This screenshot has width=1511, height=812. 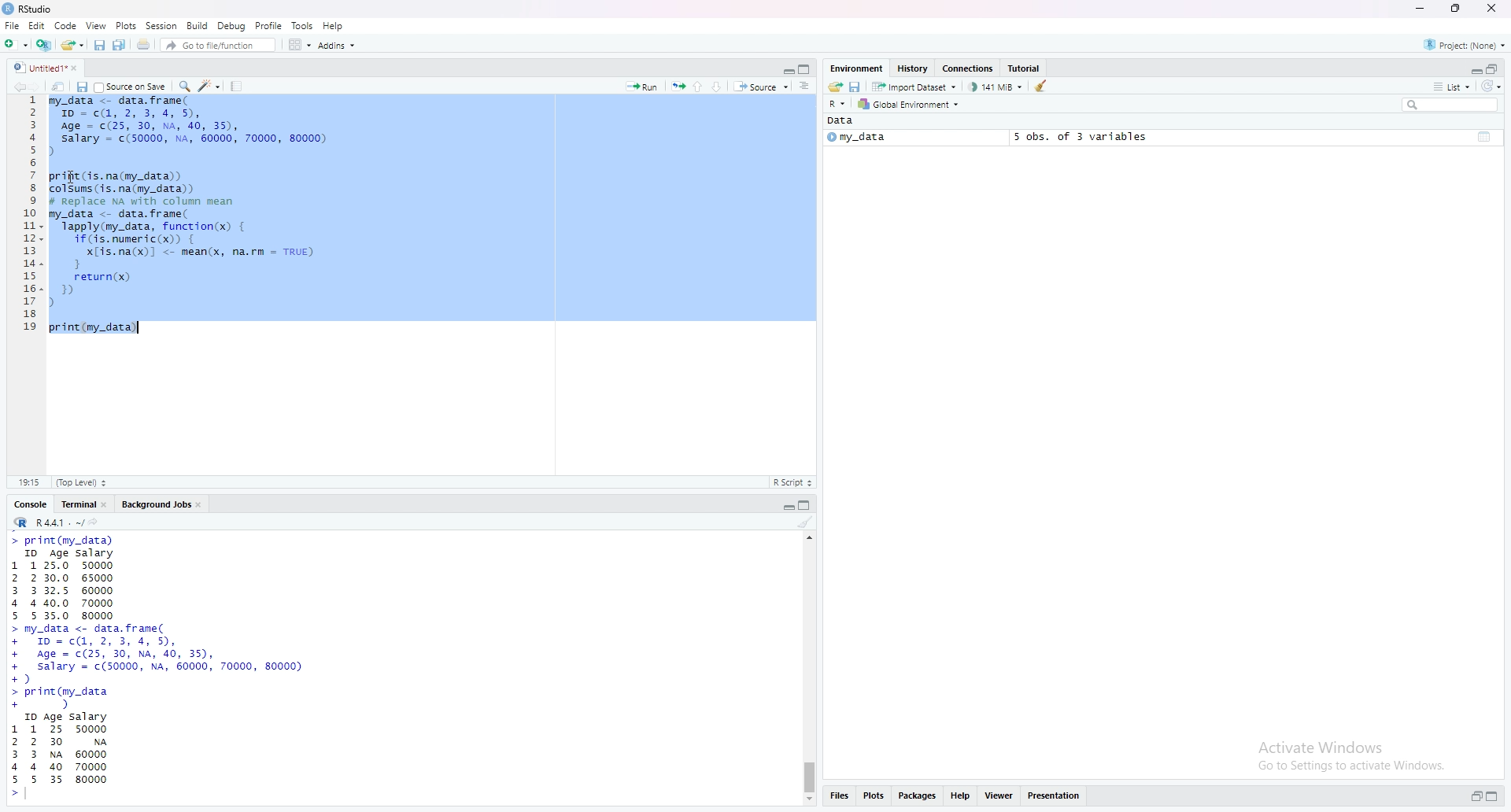 I want to click on R Script , so click(x=792, y=483).